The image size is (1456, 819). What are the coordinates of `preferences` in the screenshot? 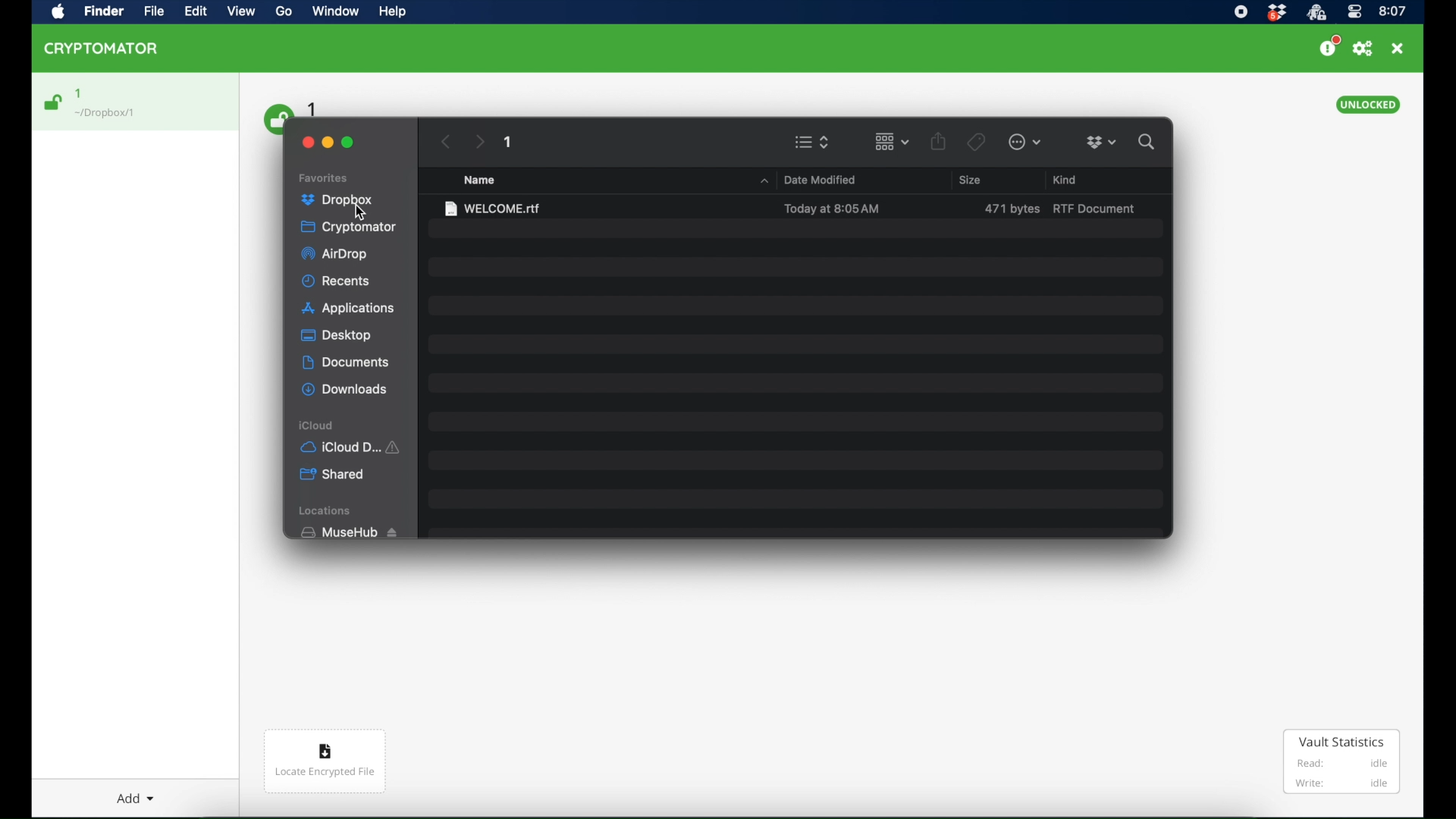 It's located at (1363, 49).